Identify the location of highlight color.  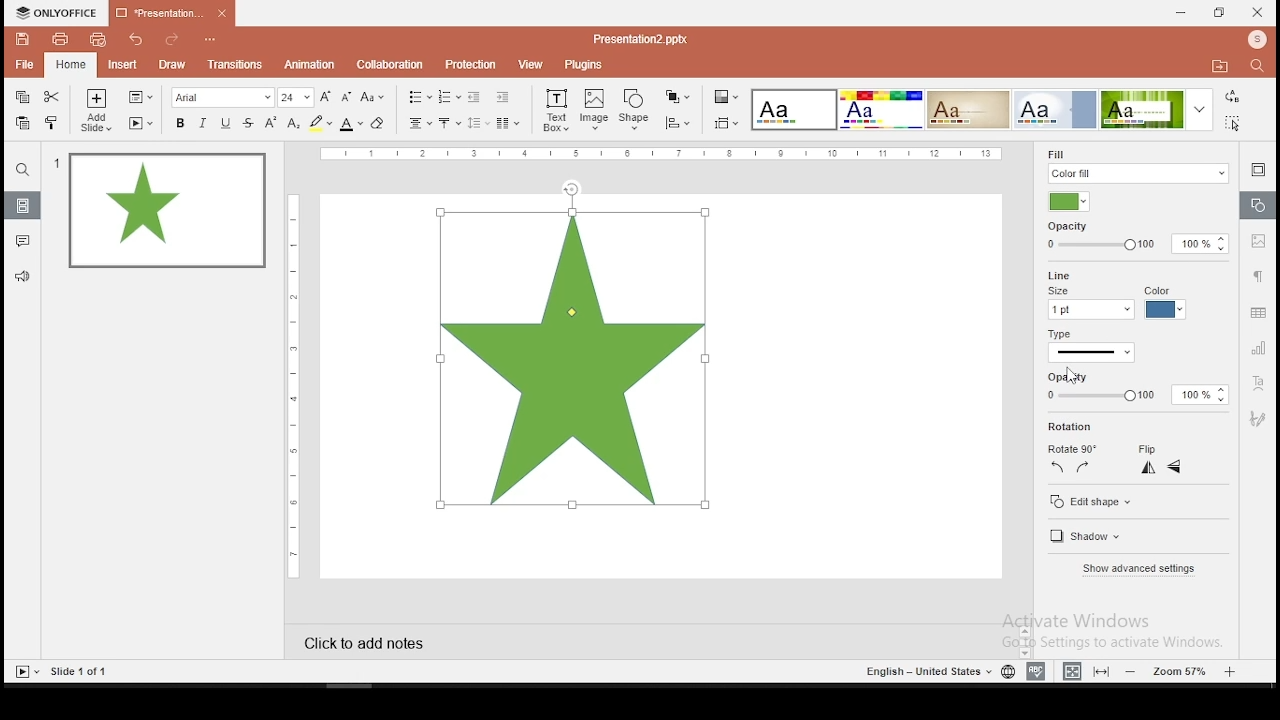
(320, 124).